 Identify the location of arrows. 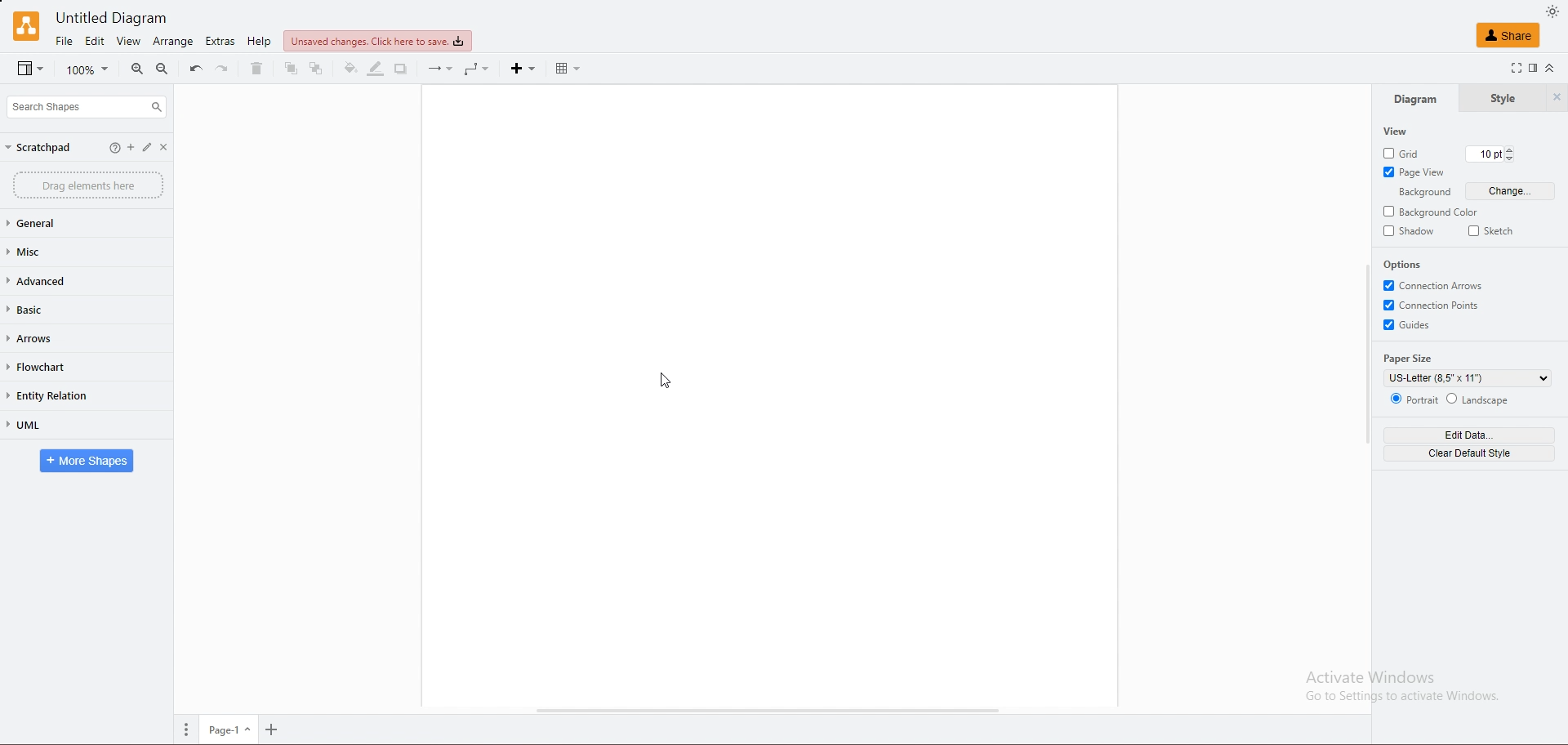
(52, 337).